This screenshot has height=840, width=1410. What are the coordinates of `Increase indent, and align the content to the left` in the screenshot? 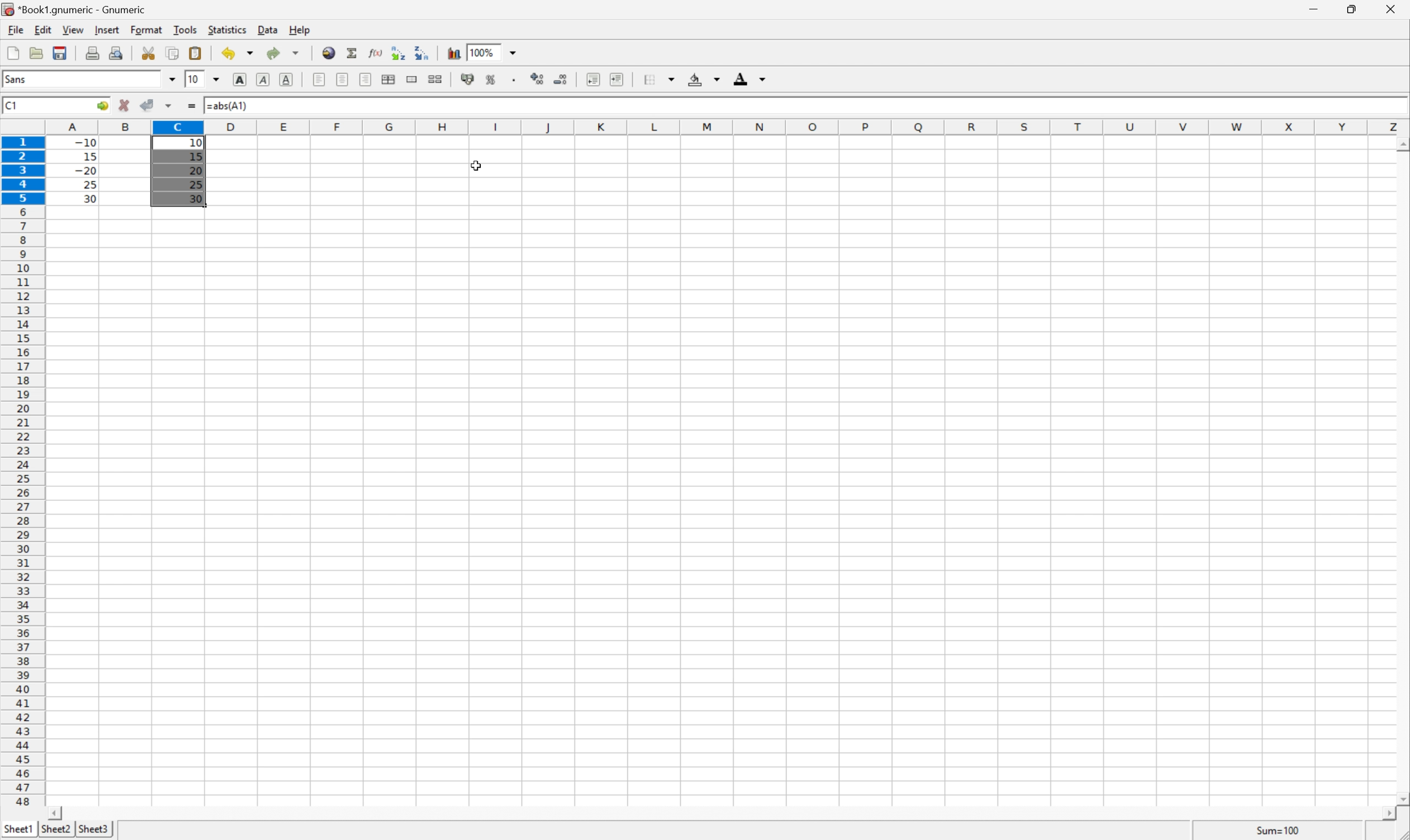 It's located at (615, 79).